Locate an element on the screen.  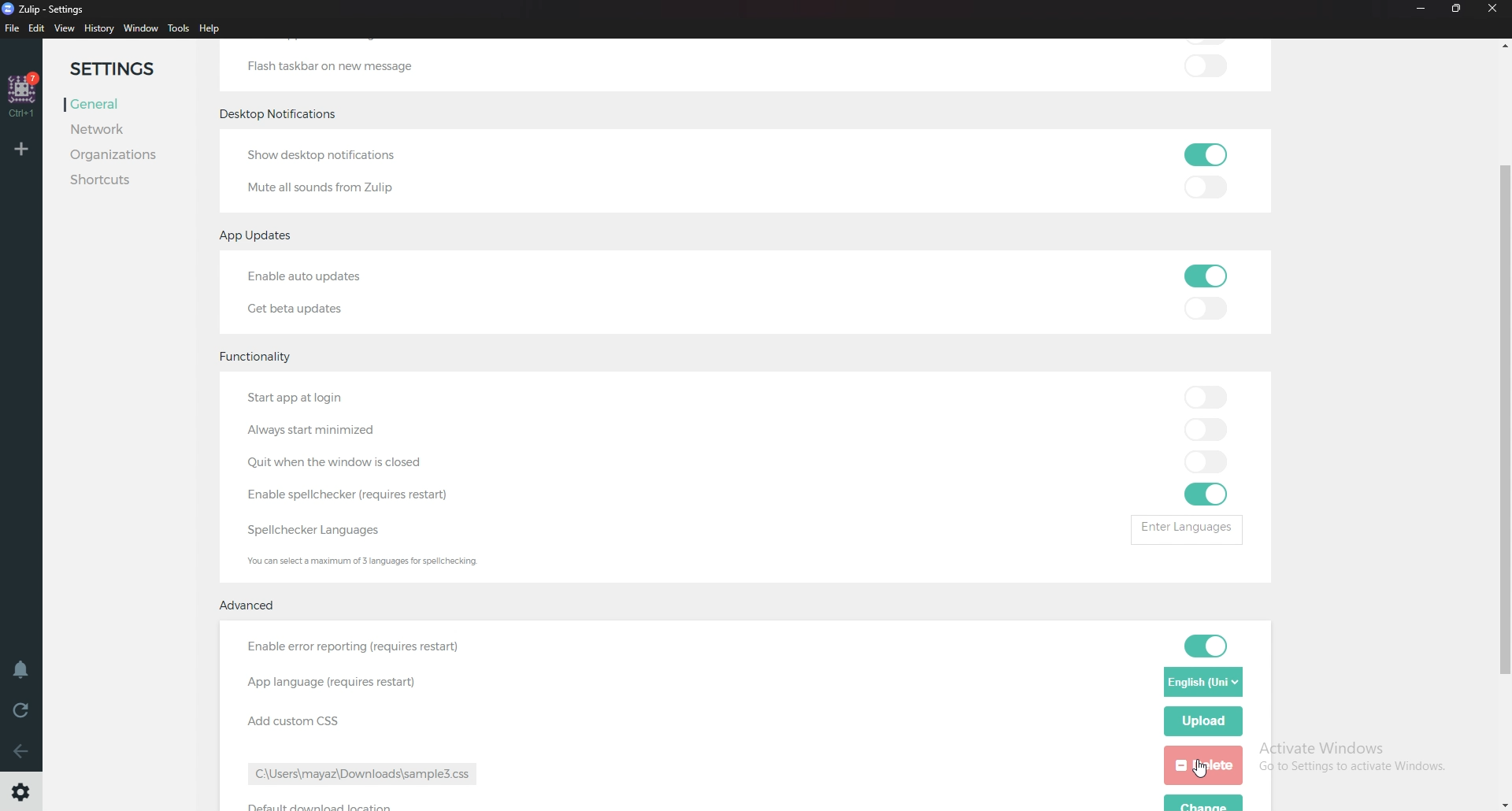
Back is located at coordinates (22, 754).